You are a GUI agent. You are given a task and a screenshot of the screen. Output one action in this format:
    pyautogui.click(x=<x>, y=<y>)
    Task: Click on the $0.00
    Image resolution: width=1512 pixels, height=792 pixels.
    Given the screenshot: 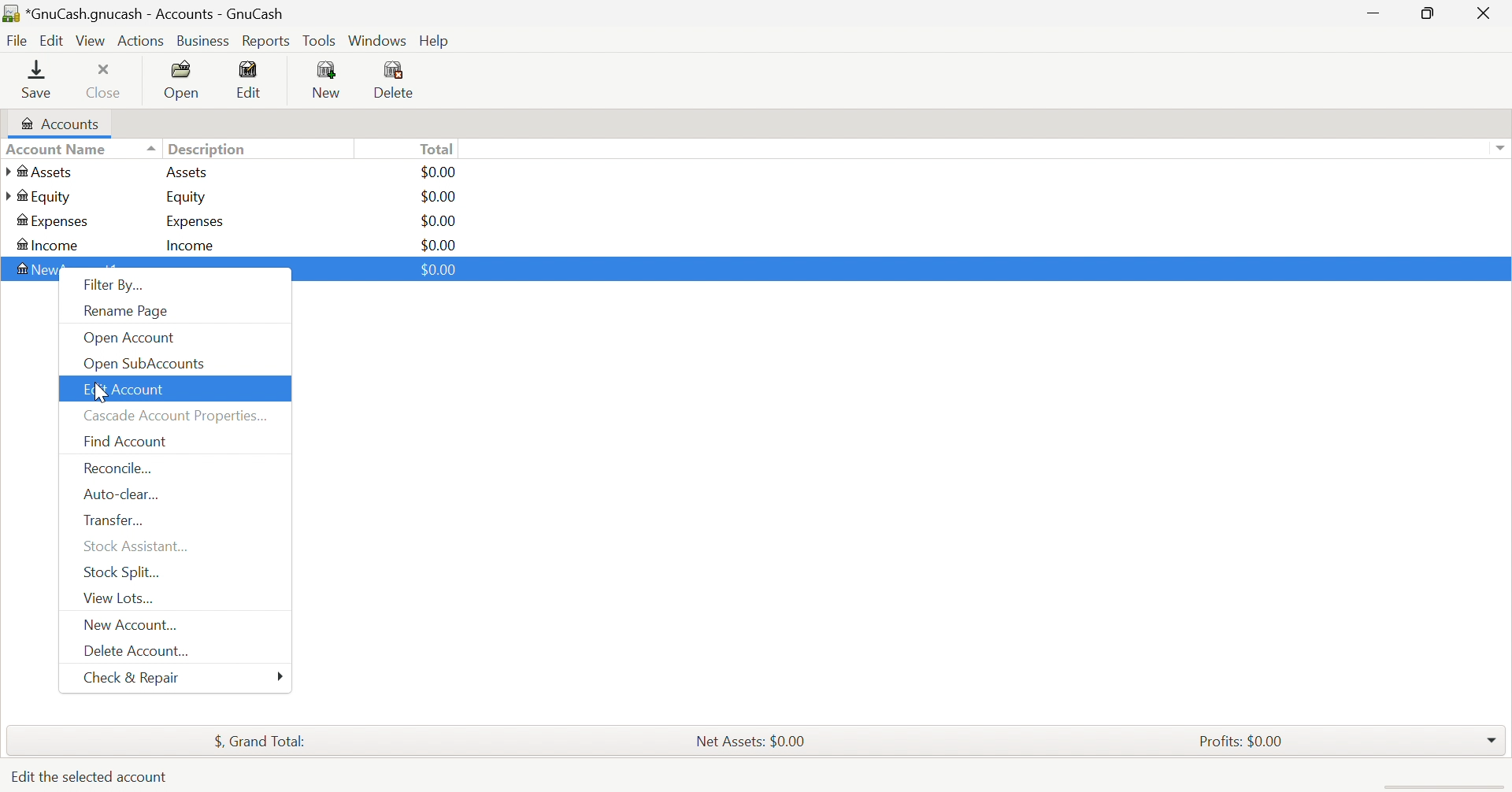 What is the action you would take?
    pyautogui.click(x=443, y=172)
    